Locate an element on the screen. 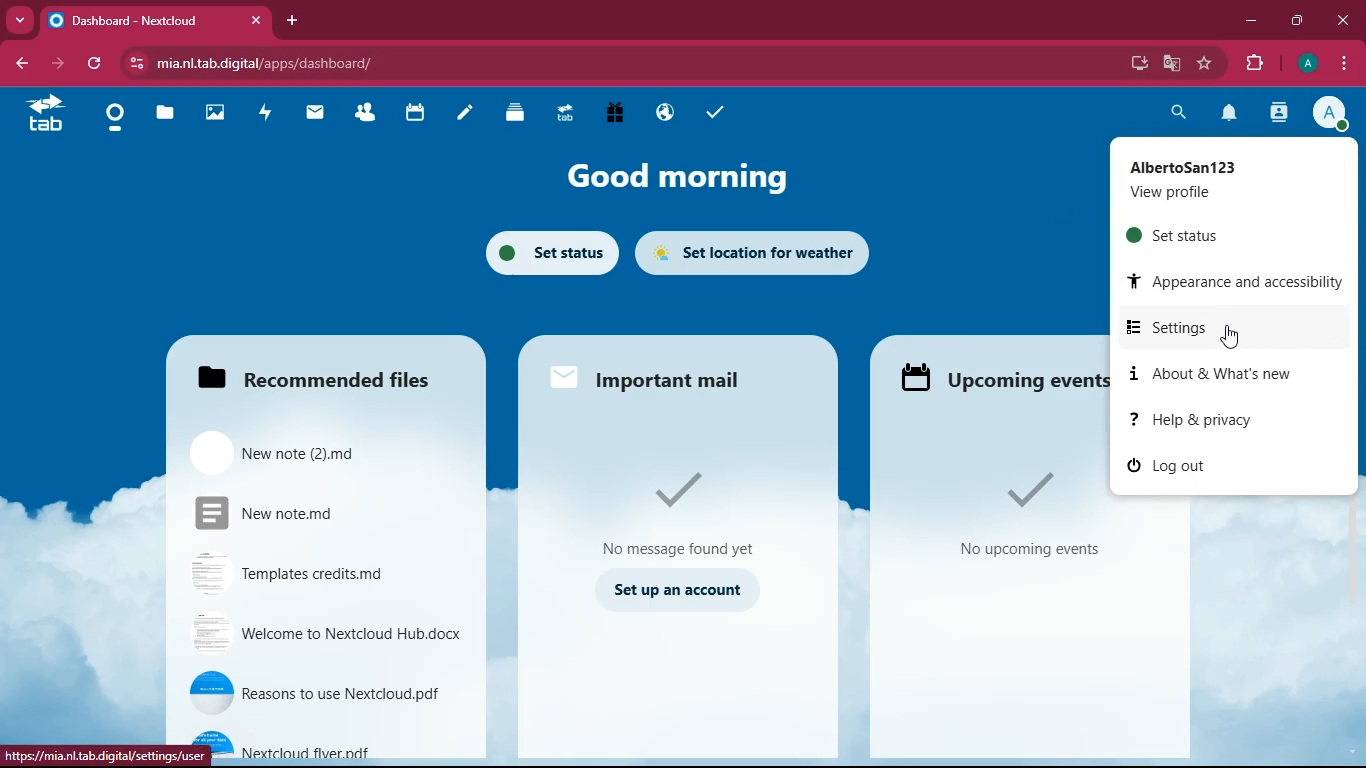  profile is located at coordinates (1308, 64).